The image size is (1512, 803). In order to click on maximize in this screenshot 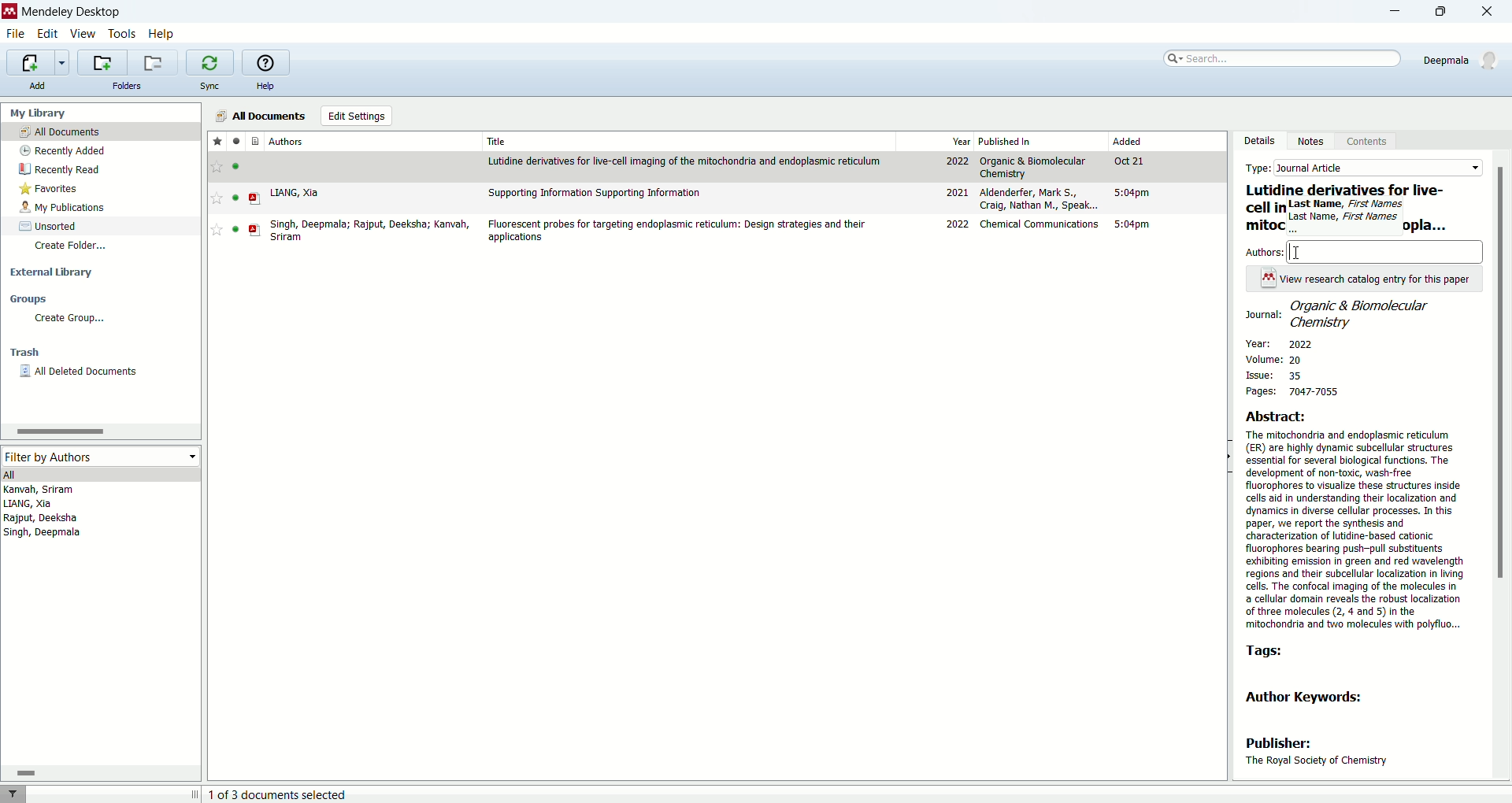, I will do `click(1447, 12)`.